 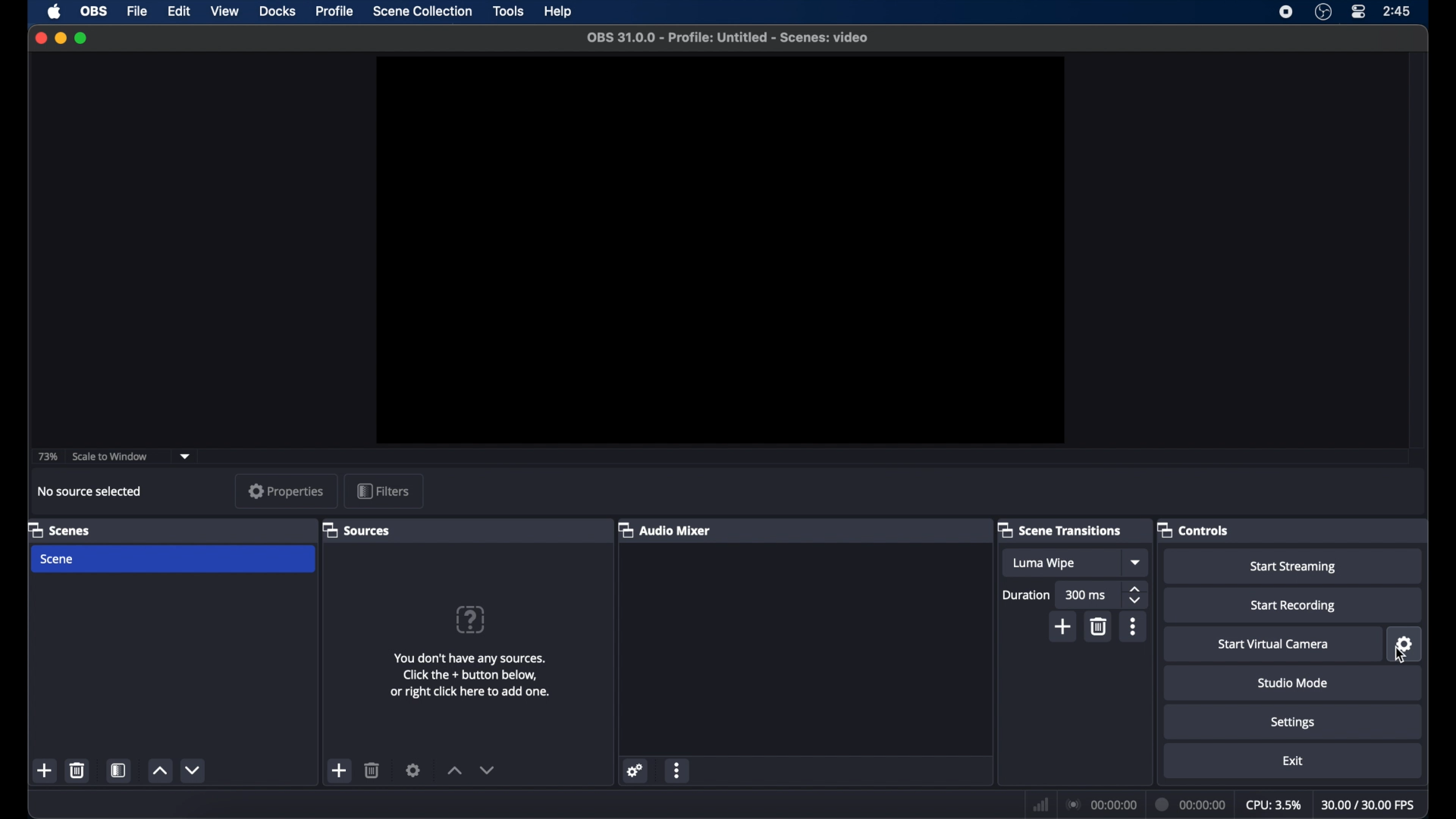 What do you see at coordinates (422, 11) in the screenshot?
I see `scene collection` at bounding box center [422, 11].